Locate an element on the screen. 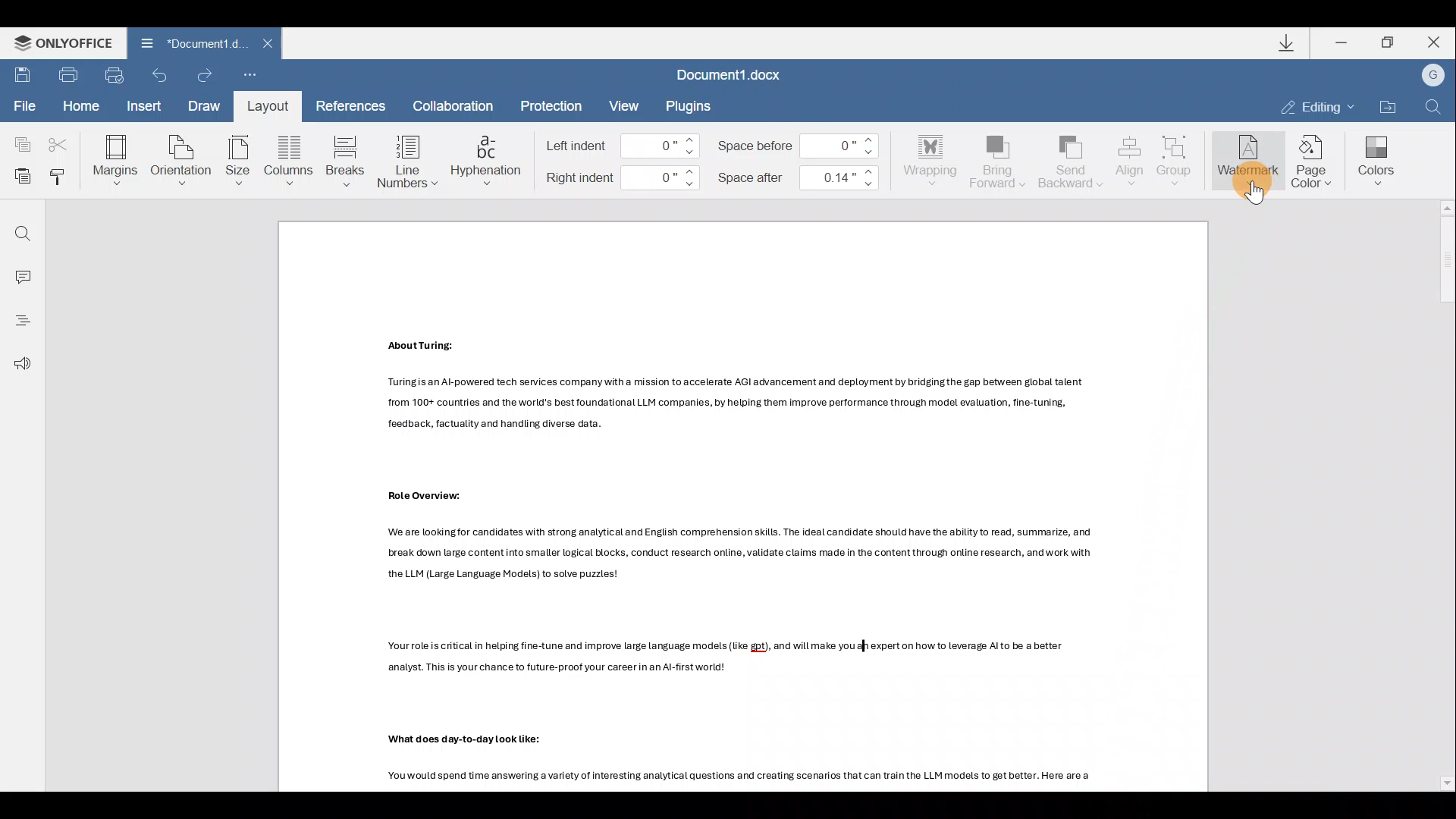 This screenshot has width=1456, height=819. Copy style is located at coordinates (62, 179).